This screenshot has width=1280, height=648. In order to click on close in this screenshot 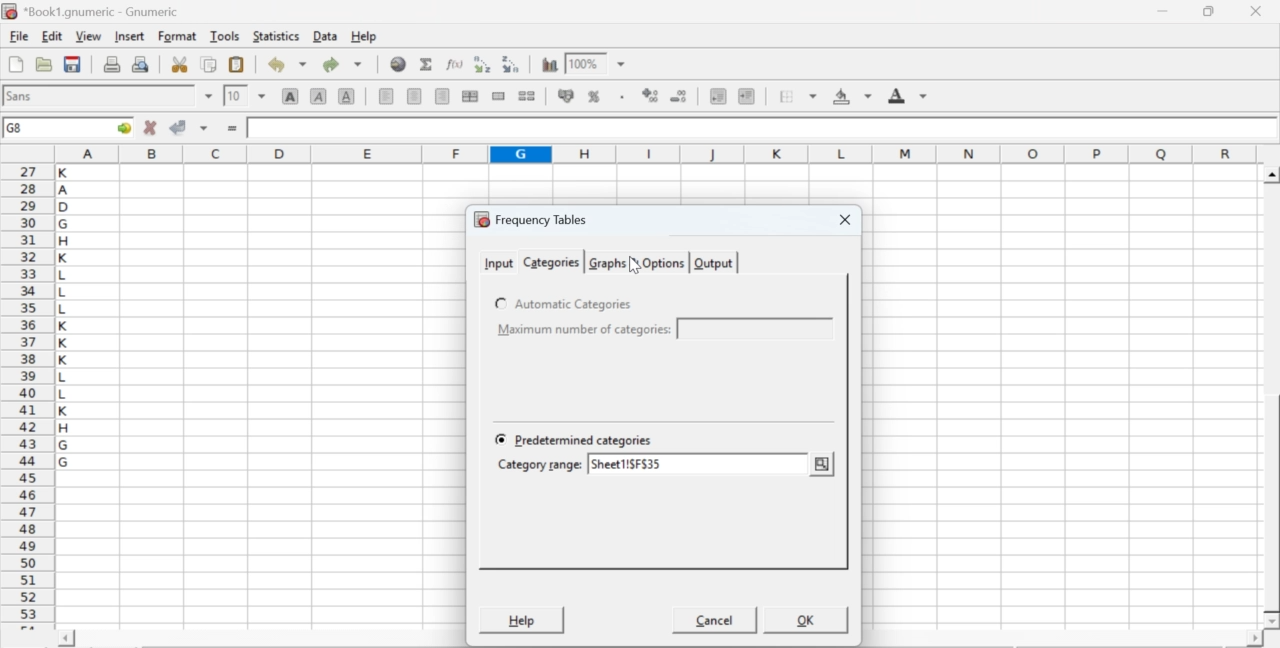, I will do `click(842, 221)`.